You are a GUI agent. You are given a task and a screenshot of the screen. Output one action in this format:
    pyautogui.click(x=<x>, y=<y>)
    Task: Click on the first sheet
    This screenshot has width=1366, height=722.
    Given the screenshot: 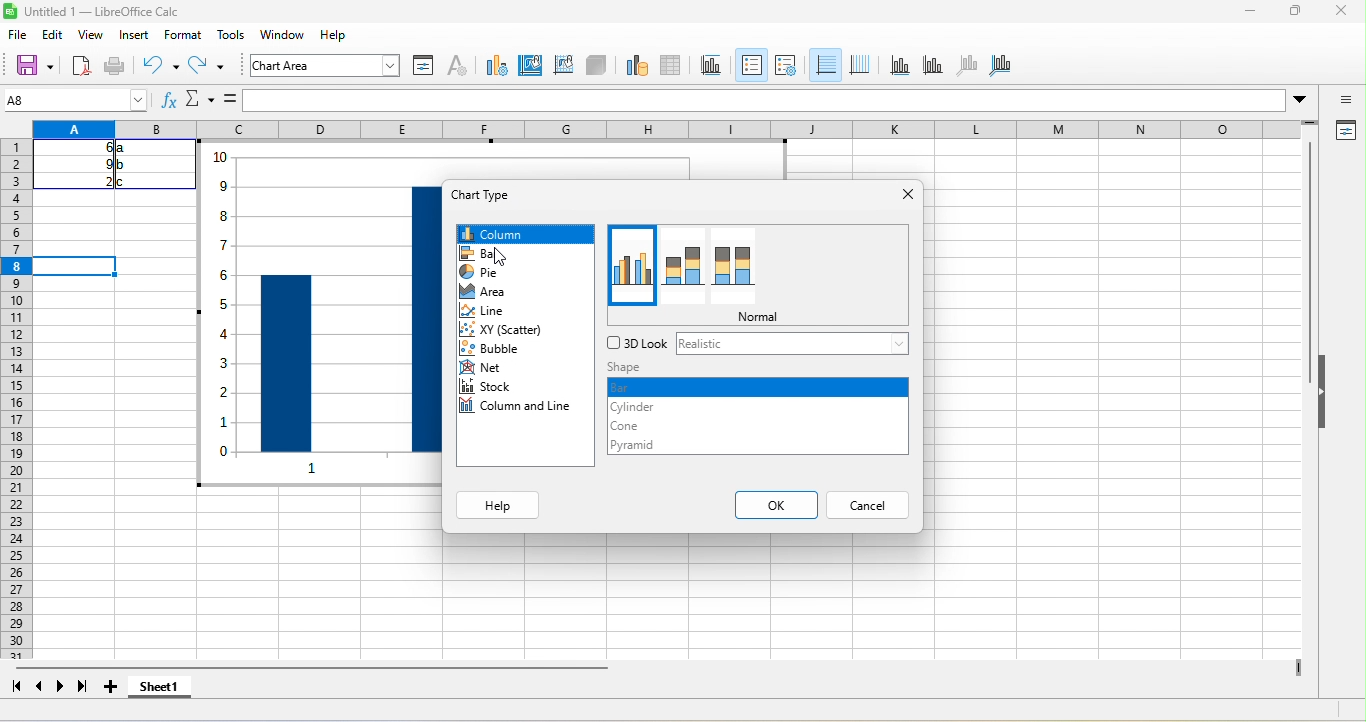 What is the action you would take?
    pyautogui.click(x=16, y=688)
    